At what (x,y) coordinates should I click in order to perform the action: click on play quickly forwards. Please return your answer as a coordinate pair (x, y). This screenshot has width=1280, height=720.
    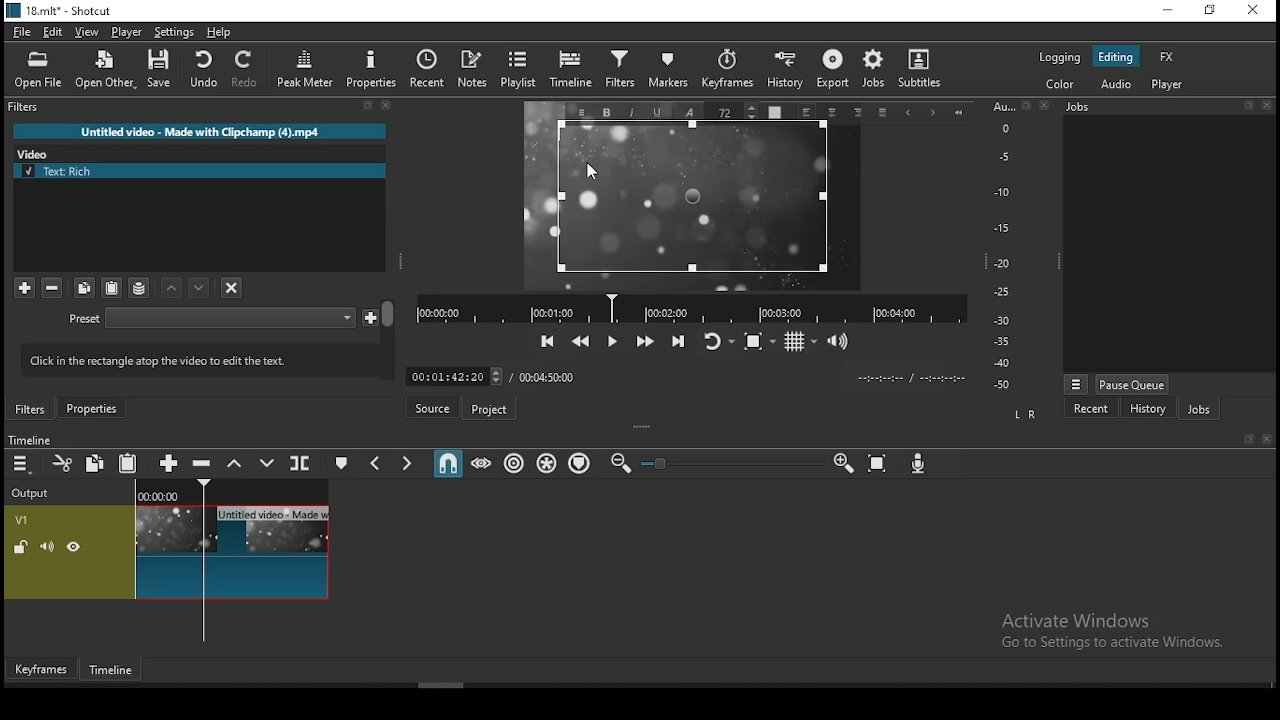
    Looking at the image, I should click on (647, 340).